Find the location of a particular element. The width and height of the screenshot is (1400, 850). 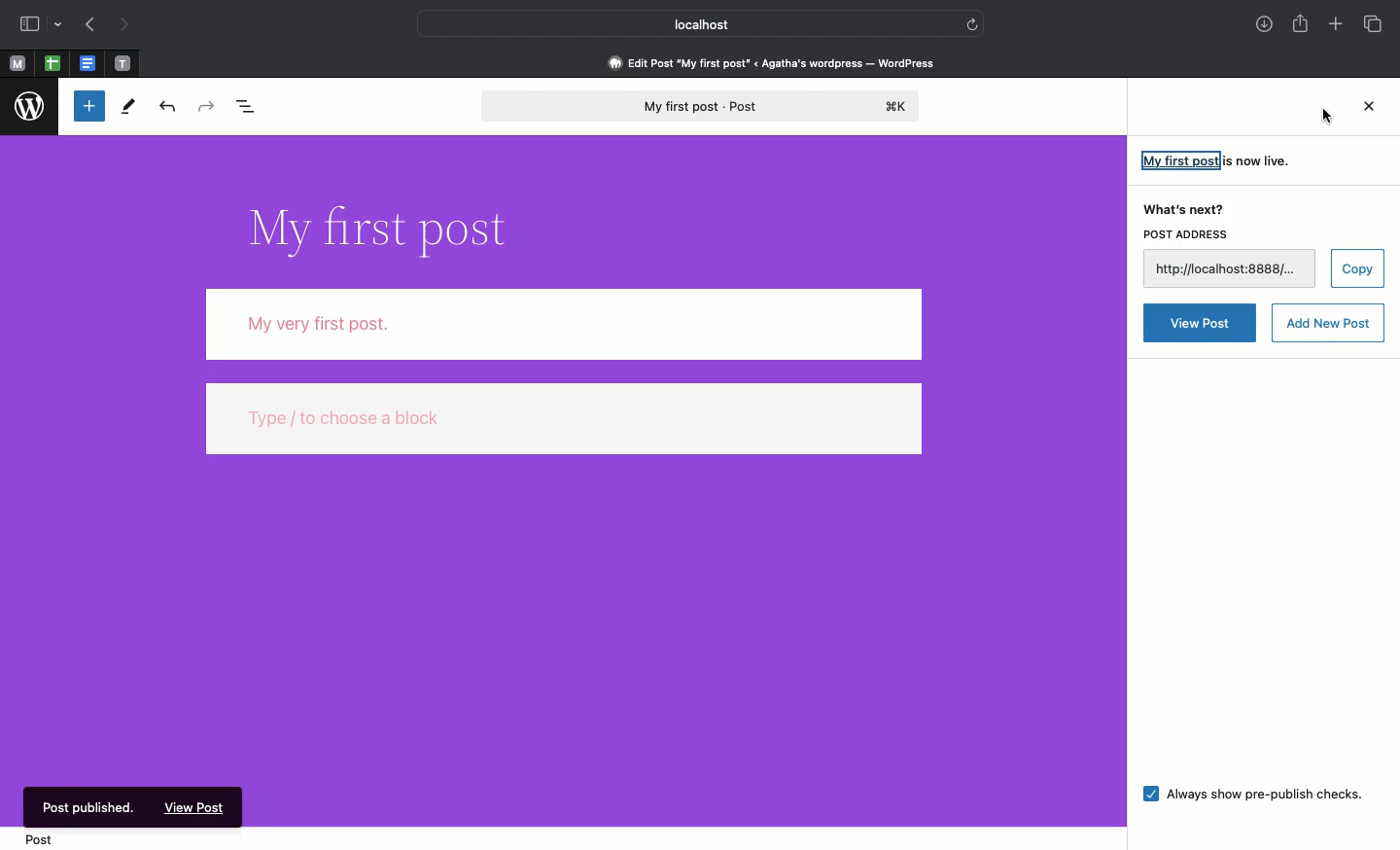

is now live. is located at coordinates (1260, 160).